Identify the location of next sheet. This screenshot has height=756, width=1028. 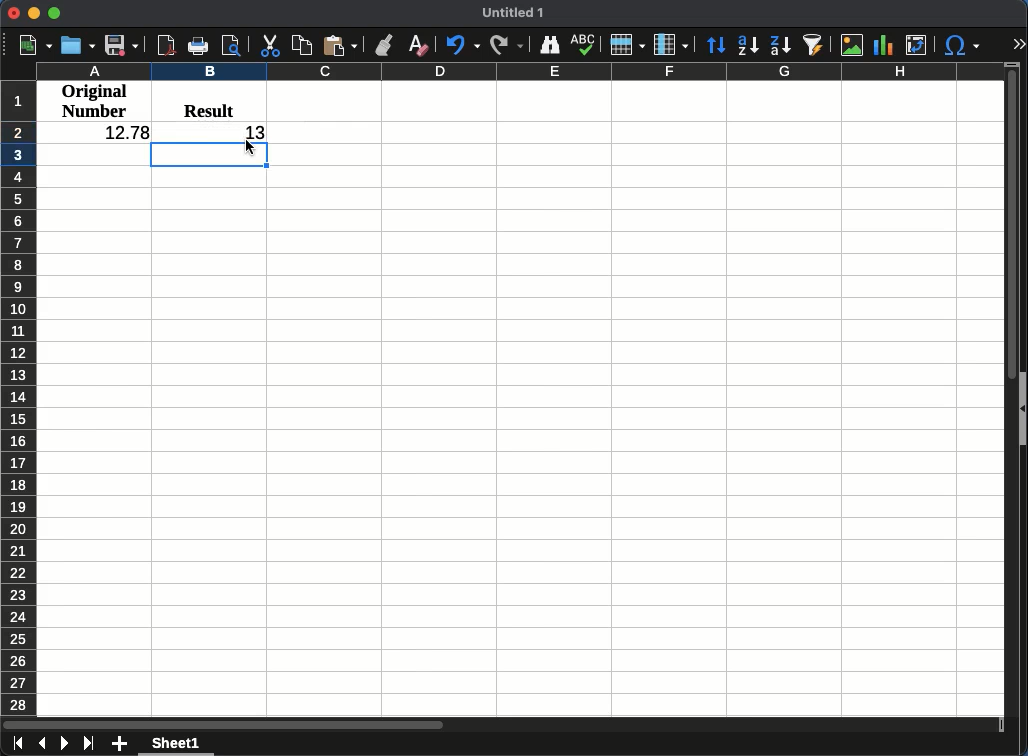
(63, 746).